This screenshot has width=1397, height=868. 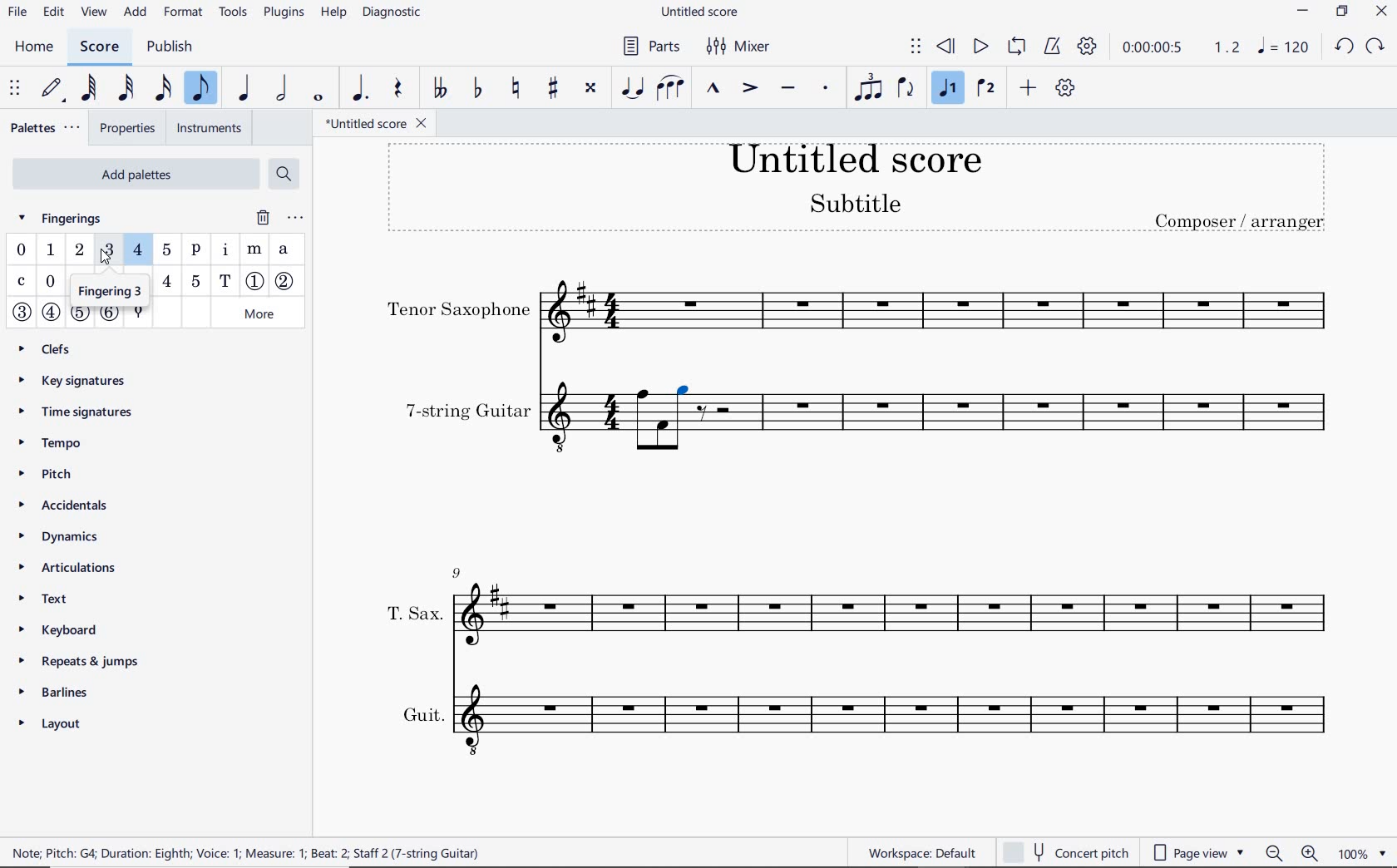 What do you see at coordinates (317, 99) in the screenshot?
I see `WHOLE NOTE` at bounding box center [317, 99].